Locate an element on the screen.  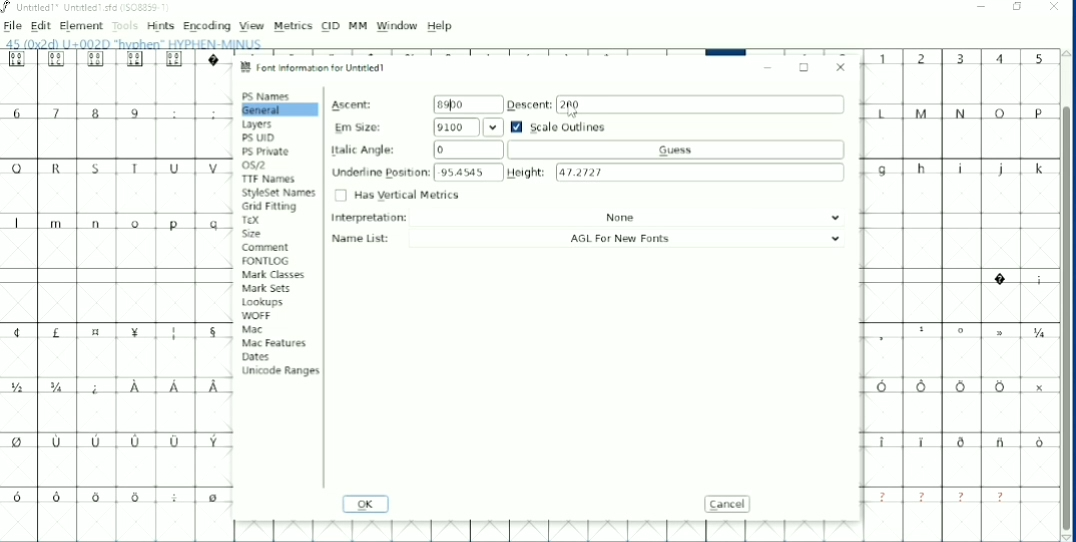
StyleSet Names is located at coordinates (279, 193).